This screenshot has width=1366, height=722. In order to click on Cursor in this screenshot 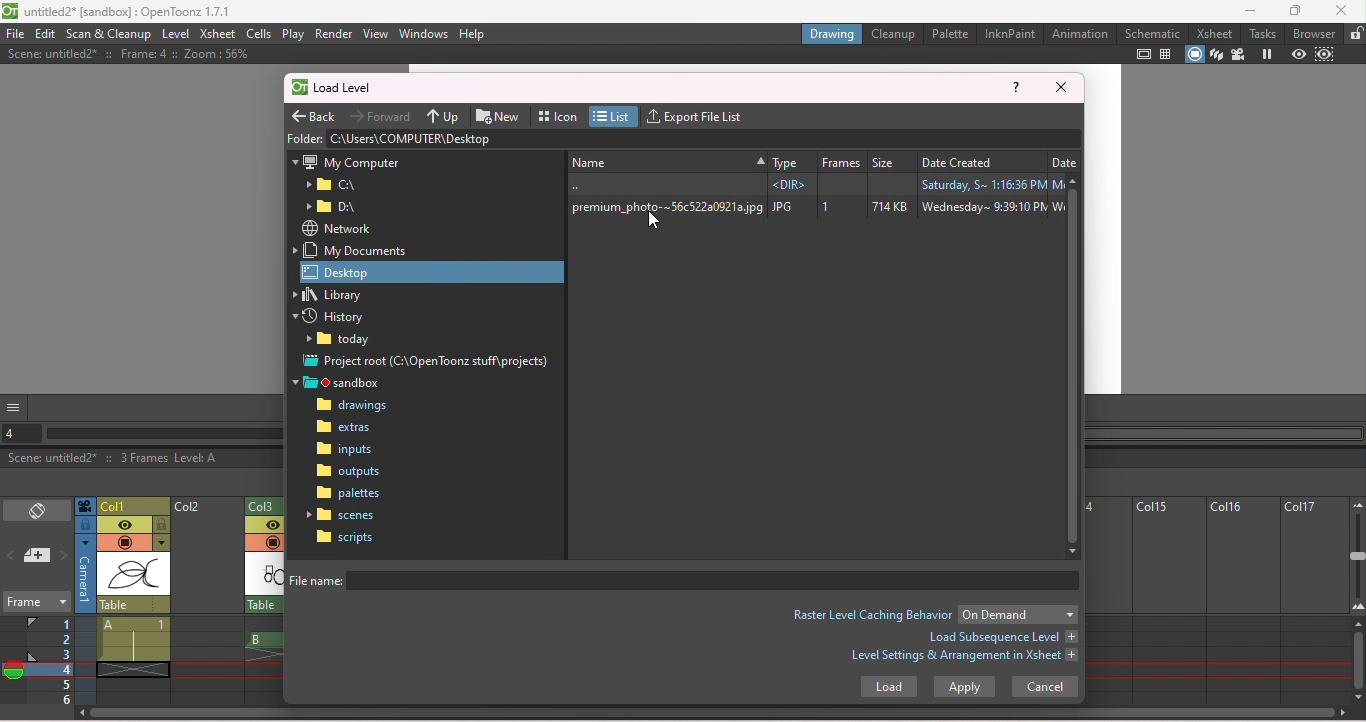, I will do `click(654, 220)`.